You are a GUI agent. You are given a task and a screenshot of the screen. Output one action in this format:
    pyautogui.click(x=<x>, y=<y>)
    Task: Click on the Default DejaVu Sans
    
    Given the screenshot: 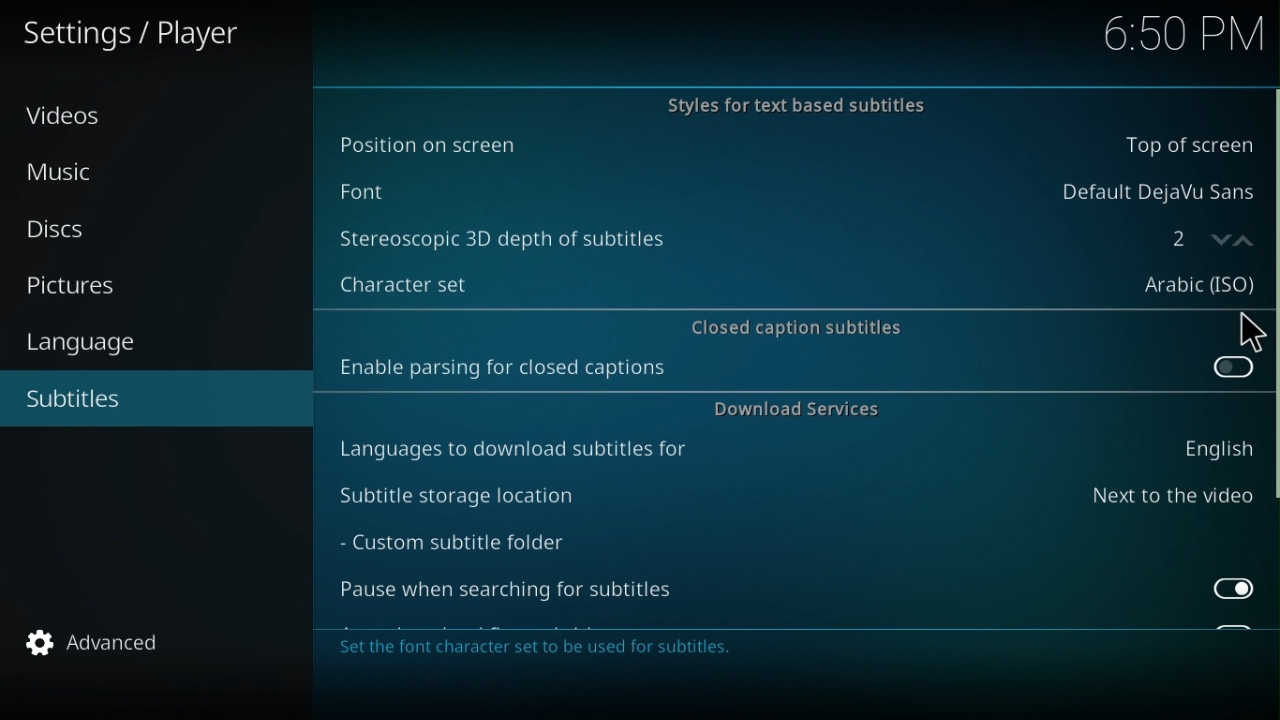 What is the action you would take?
    pyautogui.click(x=1155, y=194)
    